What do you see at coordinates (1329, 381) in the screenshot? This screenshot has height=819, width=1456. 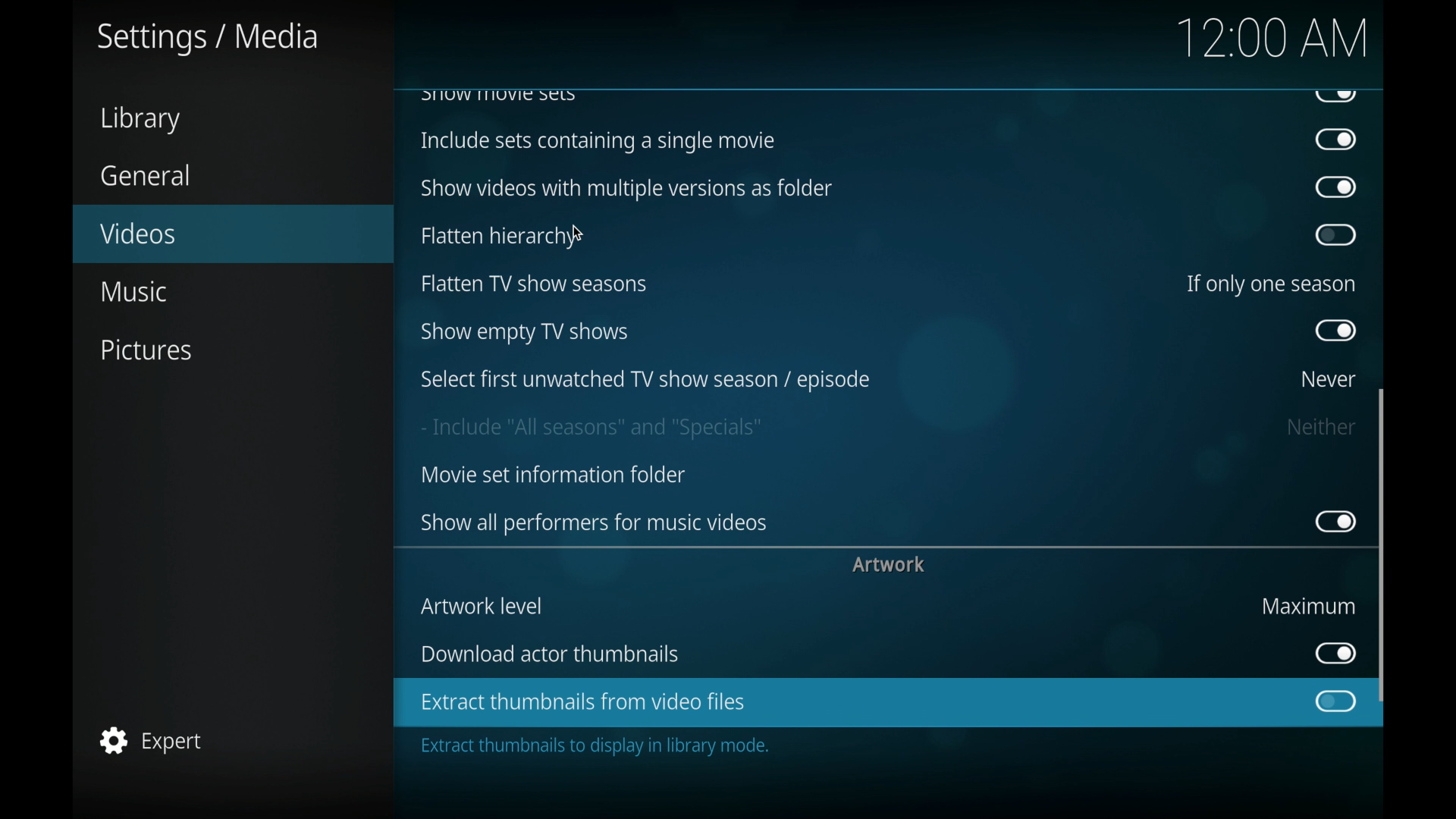 I see `never` at bounding box center [1329, 381].